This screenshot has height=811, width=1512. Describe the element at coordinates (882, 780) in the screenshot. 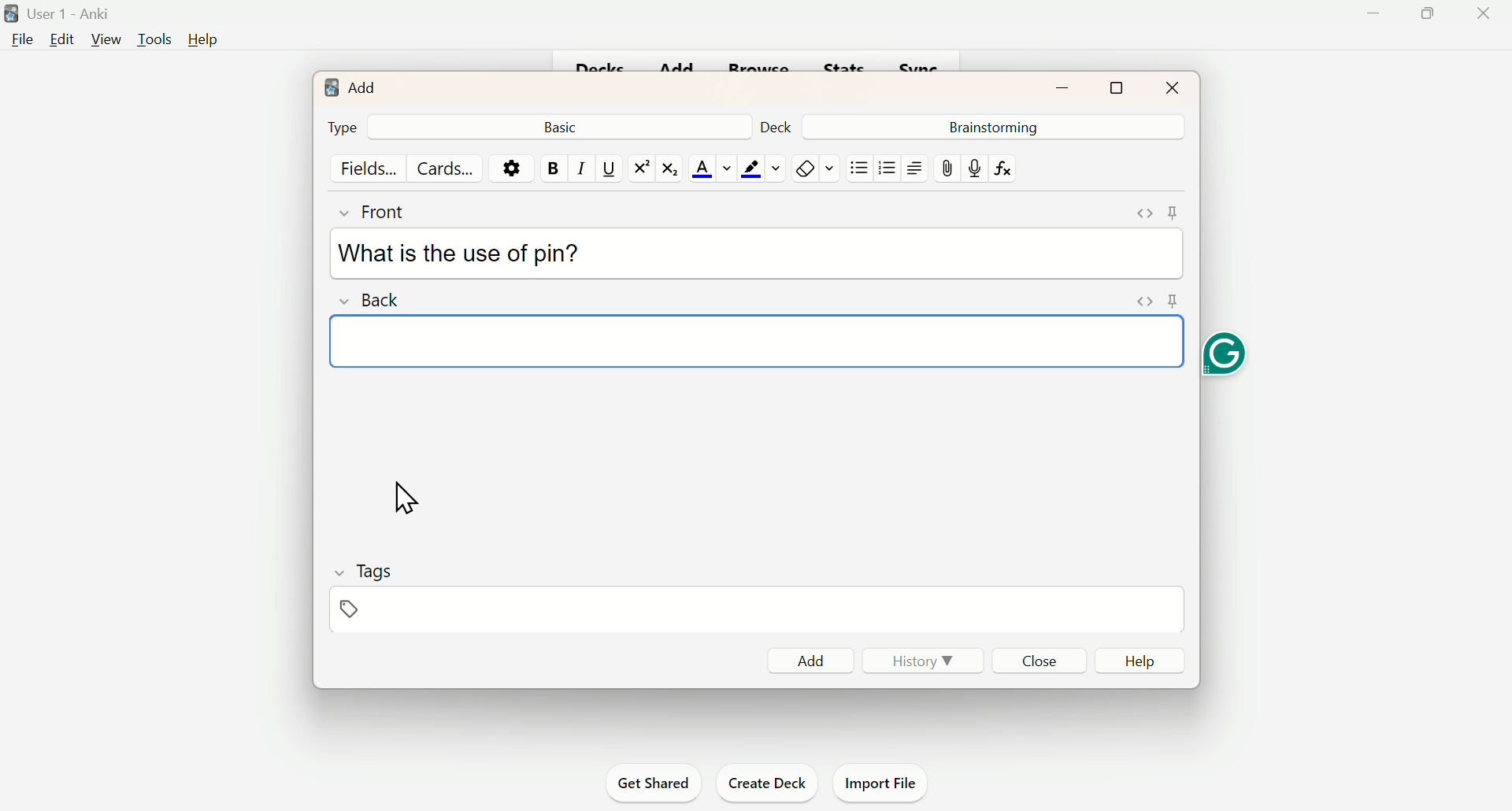

I see `Import File` at that location.